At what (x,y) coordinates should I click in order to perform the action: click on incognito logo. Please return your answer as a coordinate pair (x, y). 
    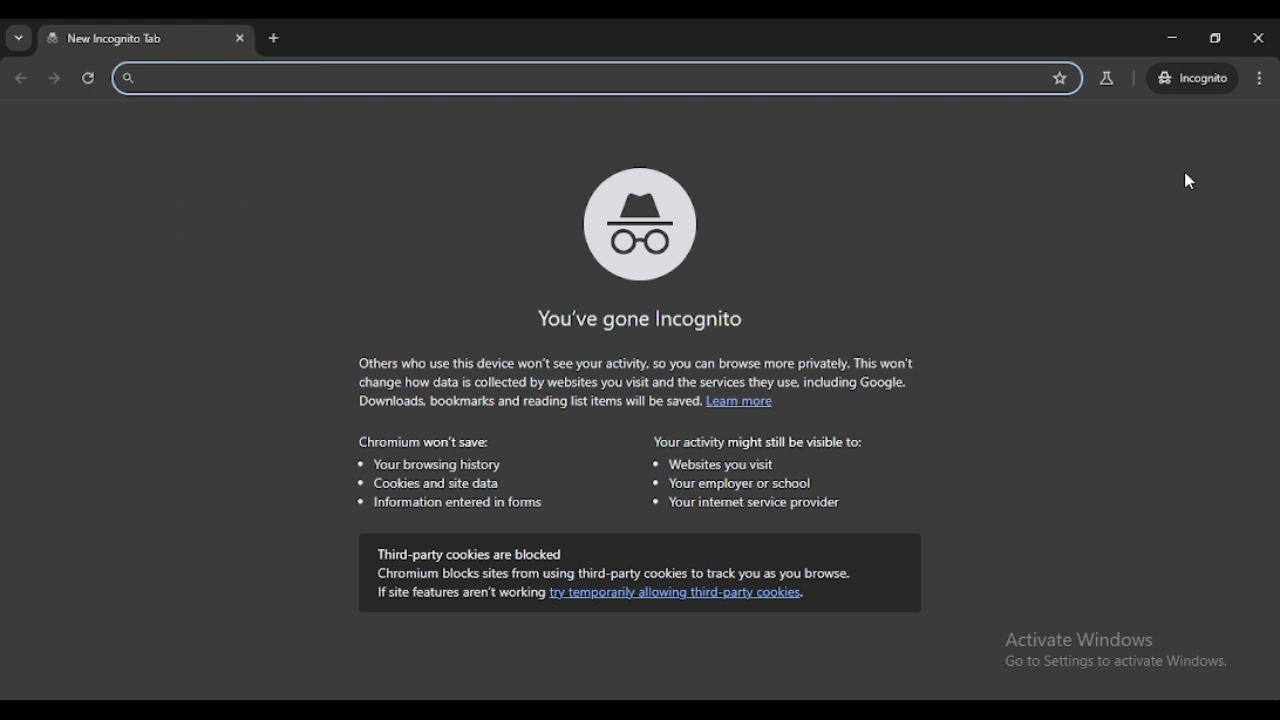
    Looking at the image, I should click on (637, 222).